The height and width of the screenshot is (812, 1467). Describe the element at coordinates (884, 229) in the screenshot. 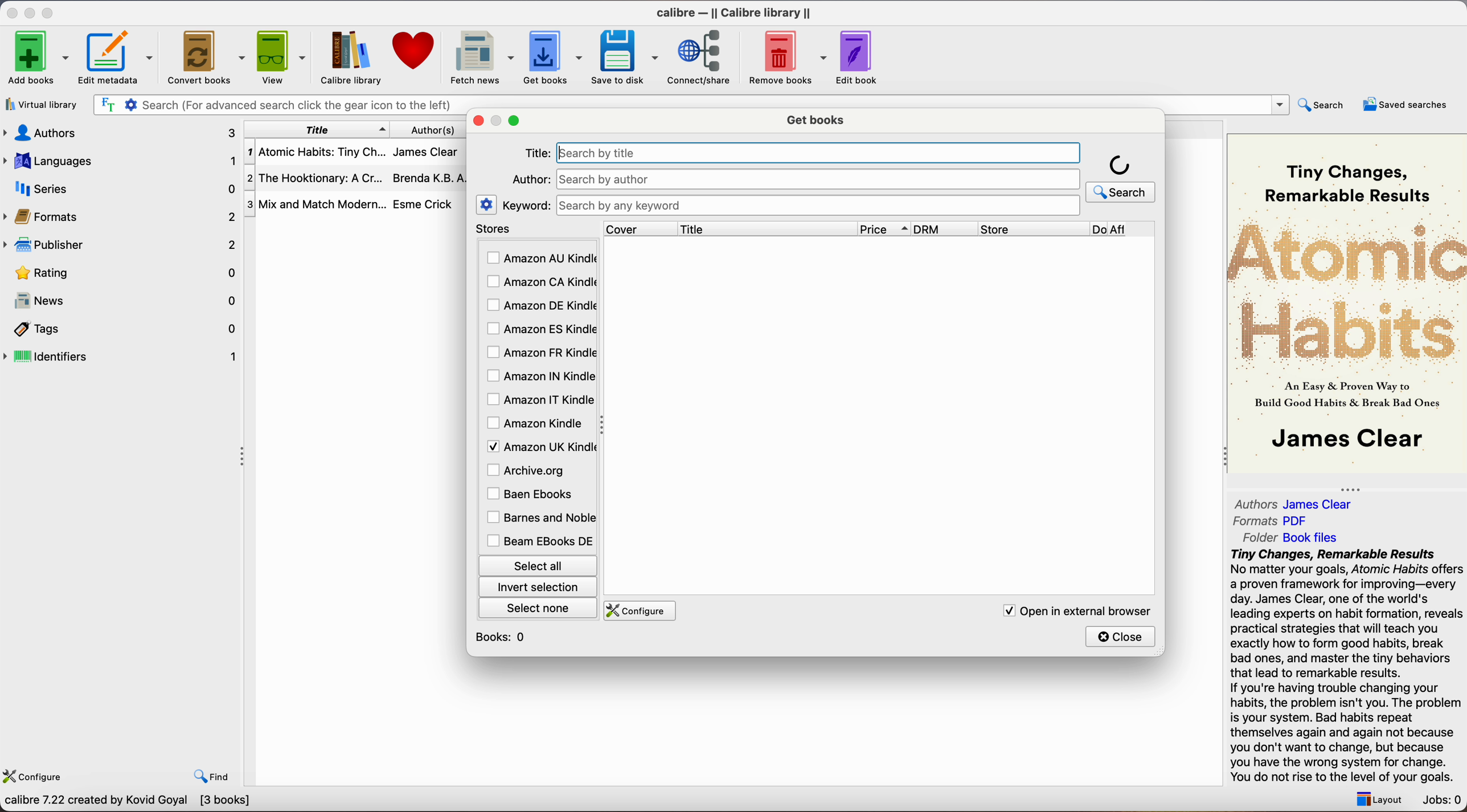

I see `price` at that location.